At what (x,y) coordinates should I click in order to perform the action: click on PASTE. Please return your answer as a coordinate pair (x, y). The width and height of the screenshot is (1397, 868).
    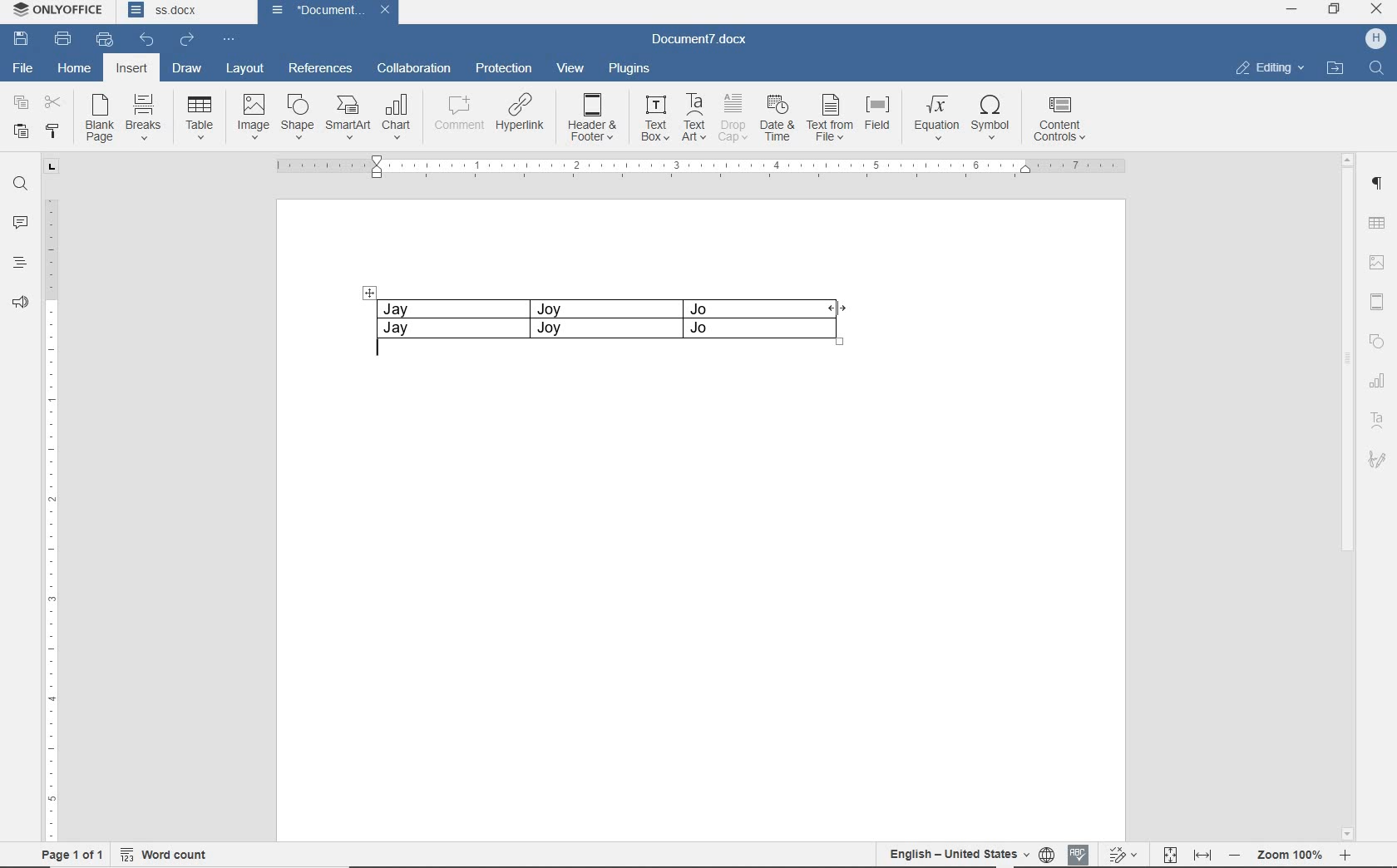
    Looking at the image, I should click on (21, 133).